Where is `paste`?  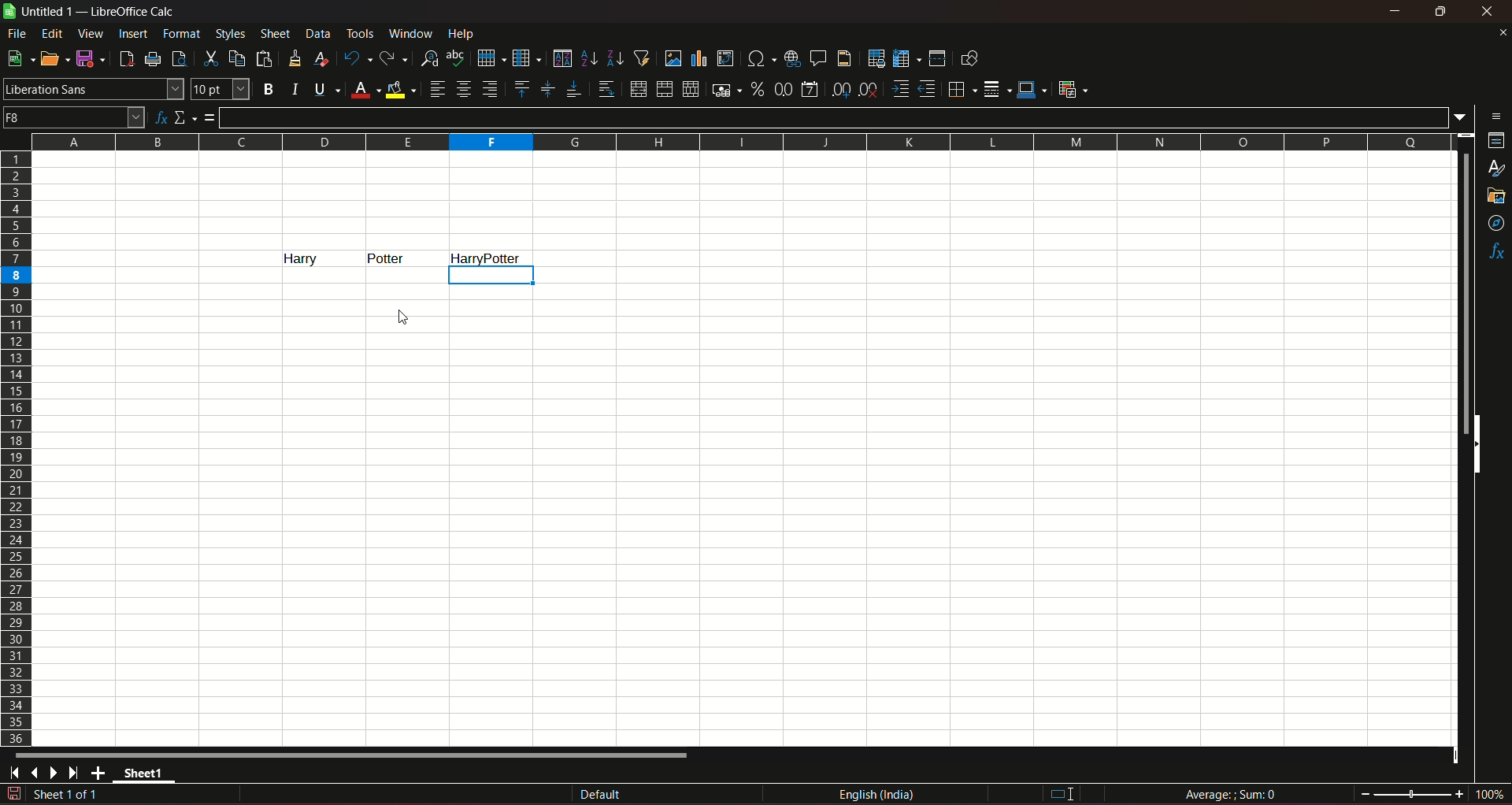 paste is located at coordinates (266, 58).